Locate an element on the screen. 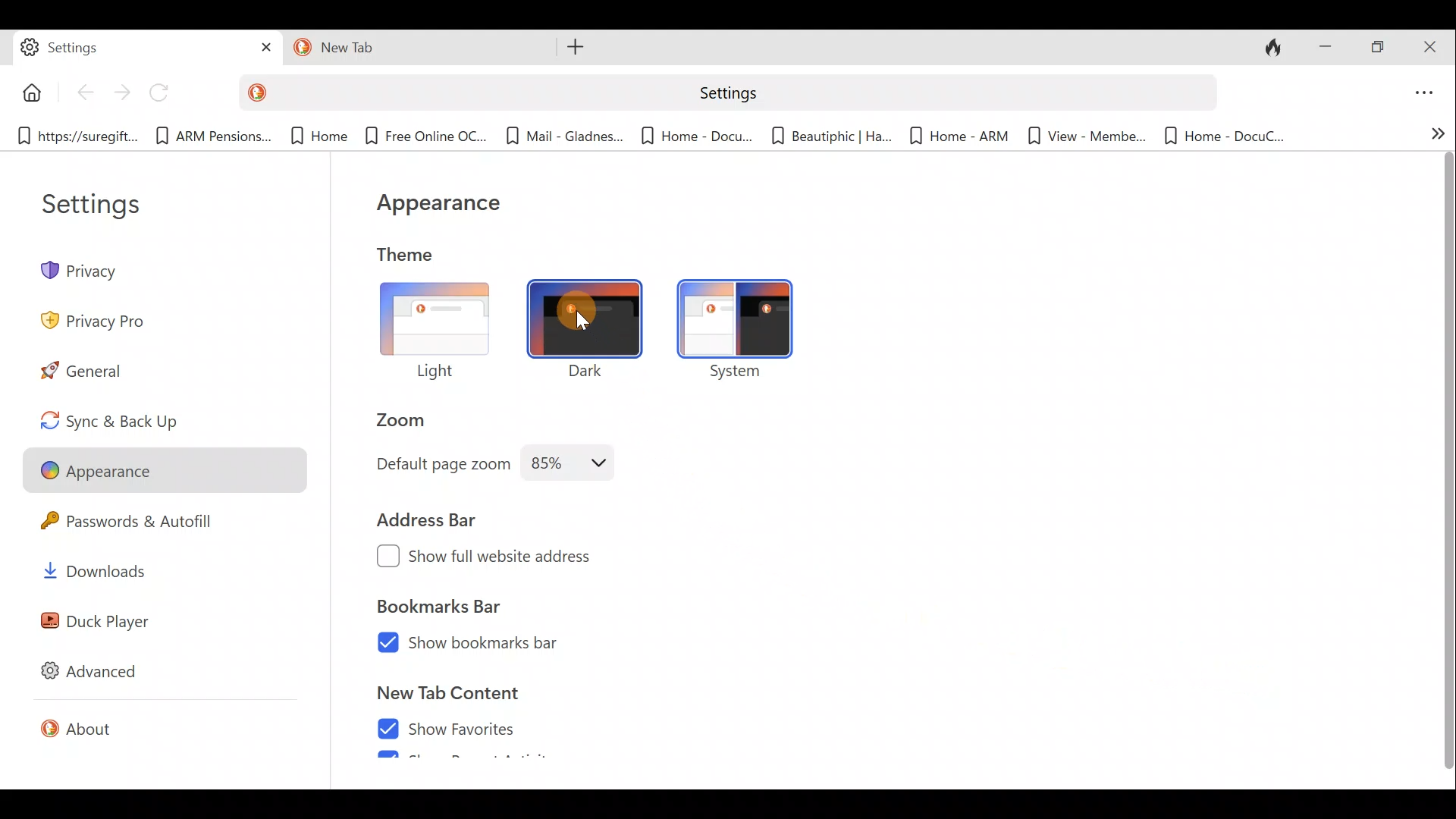  Theme is located at coordinates (422, 259).